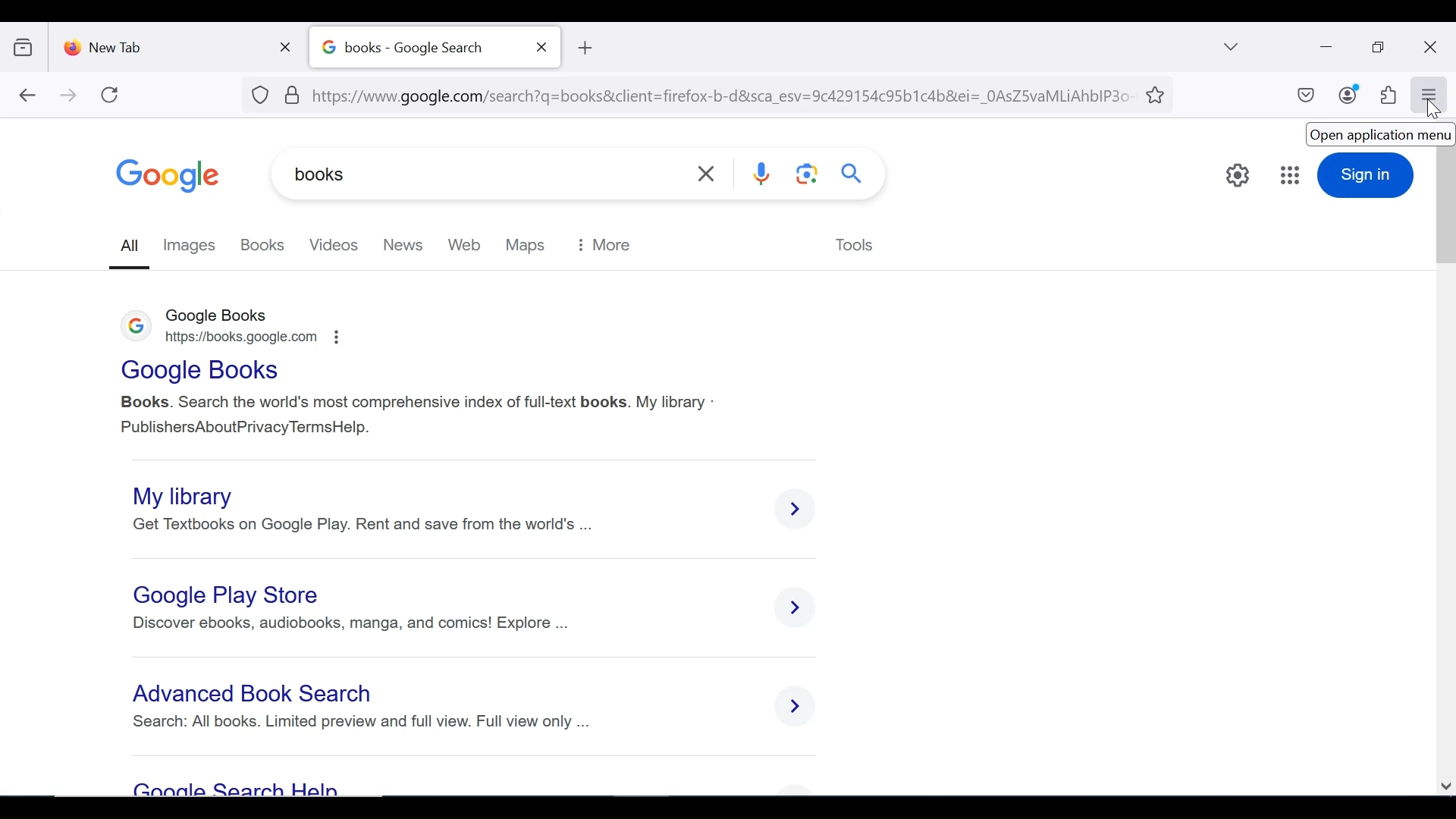 This screenshot has width=1456, height=819. Describe the element at coordinates (608, 243) in the screenshot. I see `more` at that location.